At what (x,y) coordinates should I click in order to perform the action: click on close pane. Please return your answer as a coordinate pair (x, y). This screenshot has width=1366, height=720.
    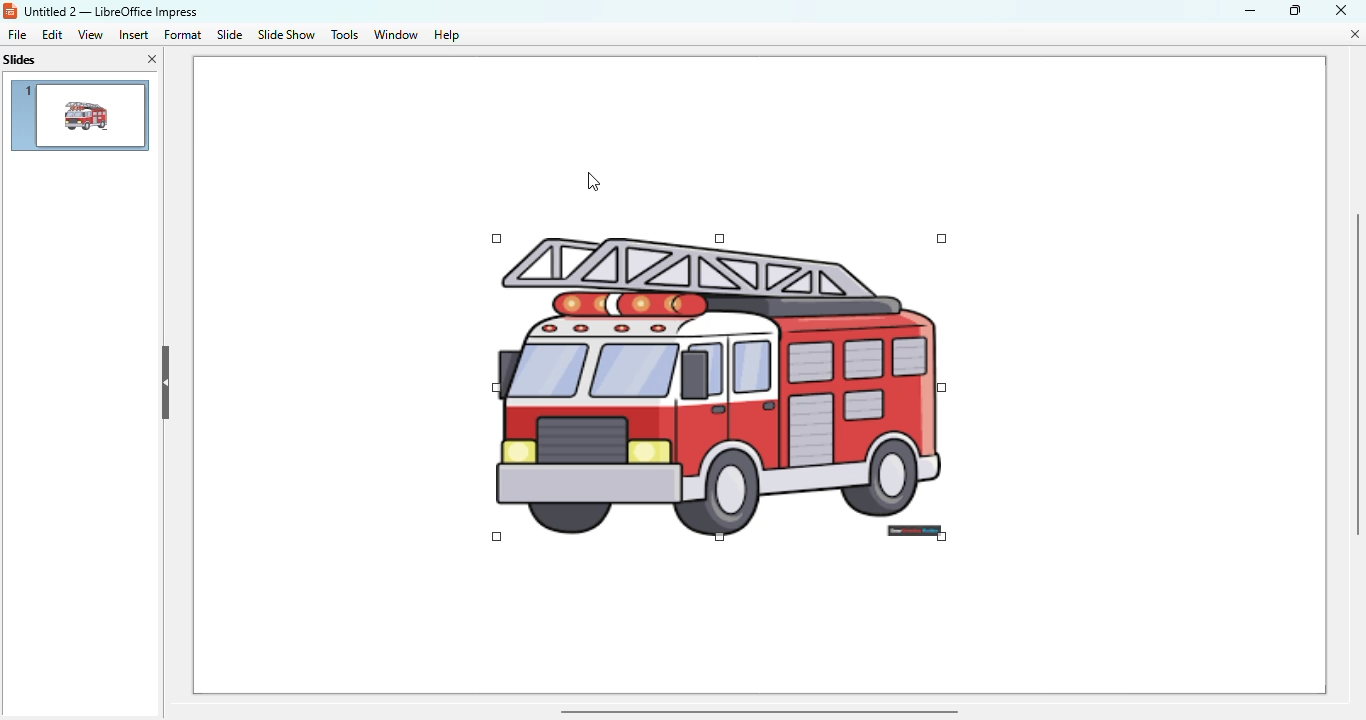
    Looking at the image, I should click on (153, 58).